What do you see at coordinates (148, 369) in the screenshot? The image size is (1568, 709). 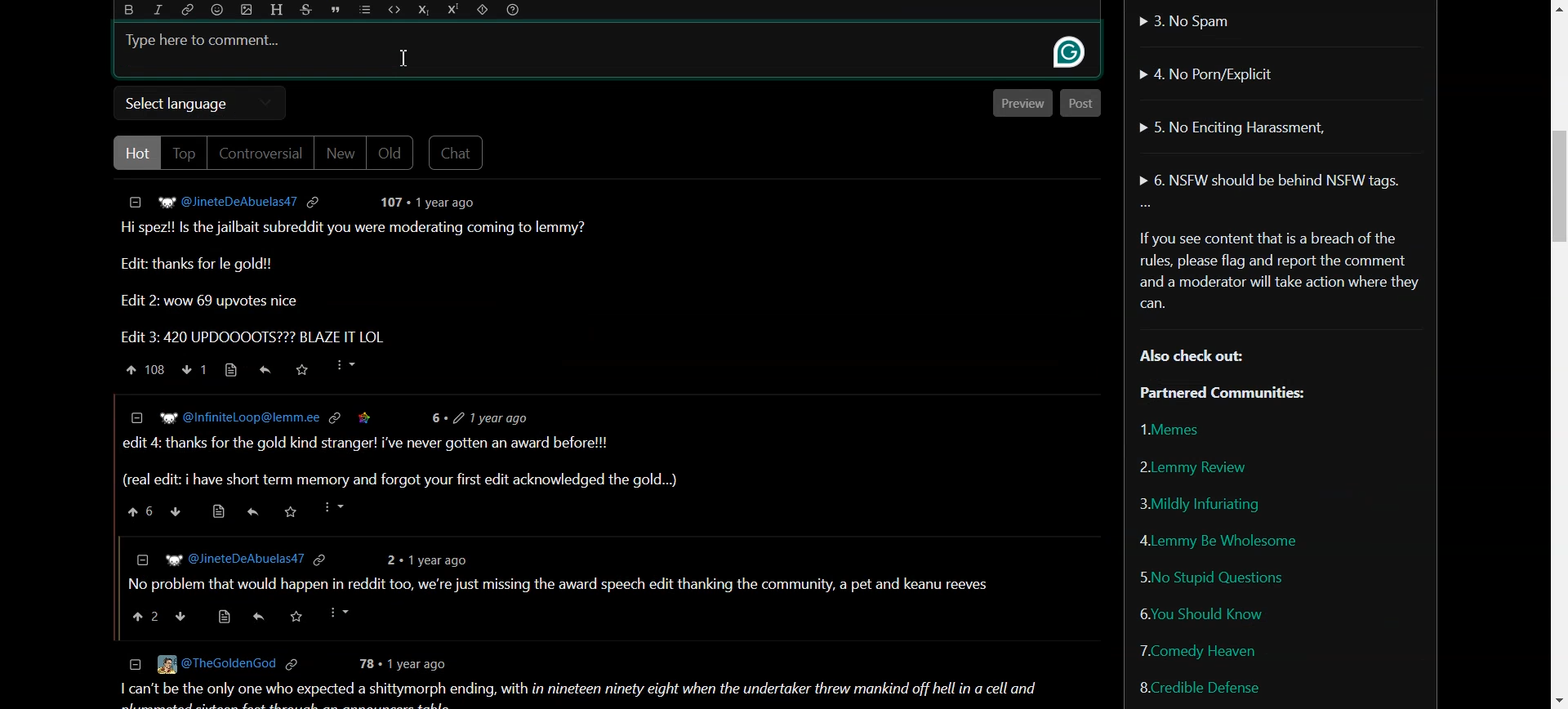 I see `Upvote` at bounding box center [148, 369].